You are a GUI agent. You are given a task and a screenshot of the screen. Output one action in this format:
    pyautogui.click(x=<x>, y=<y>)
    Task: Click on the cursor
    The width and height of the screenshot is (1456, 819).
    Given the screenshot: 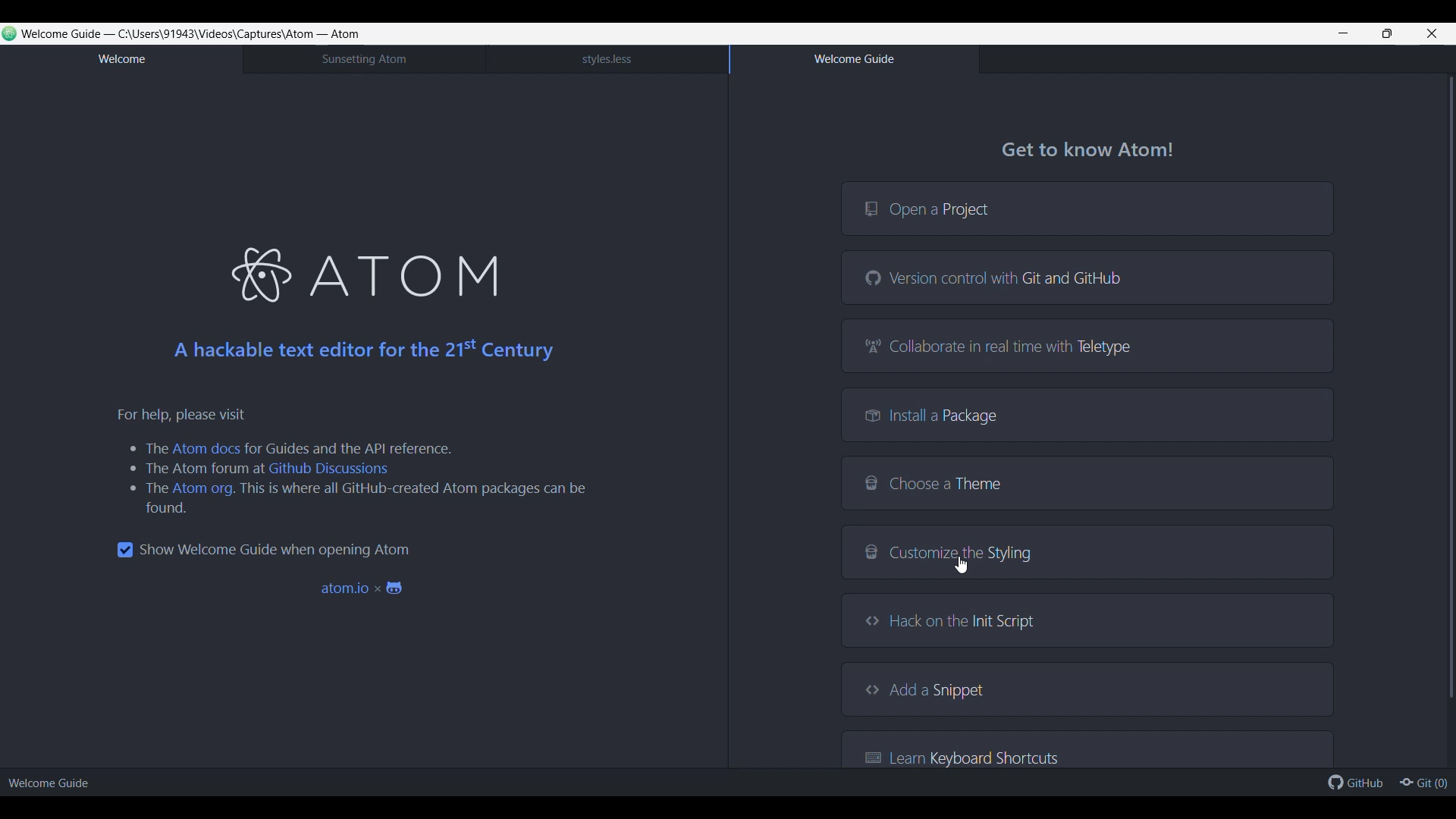 What is the action you would take?
    pyautogui.click(x=963, y=567)
    